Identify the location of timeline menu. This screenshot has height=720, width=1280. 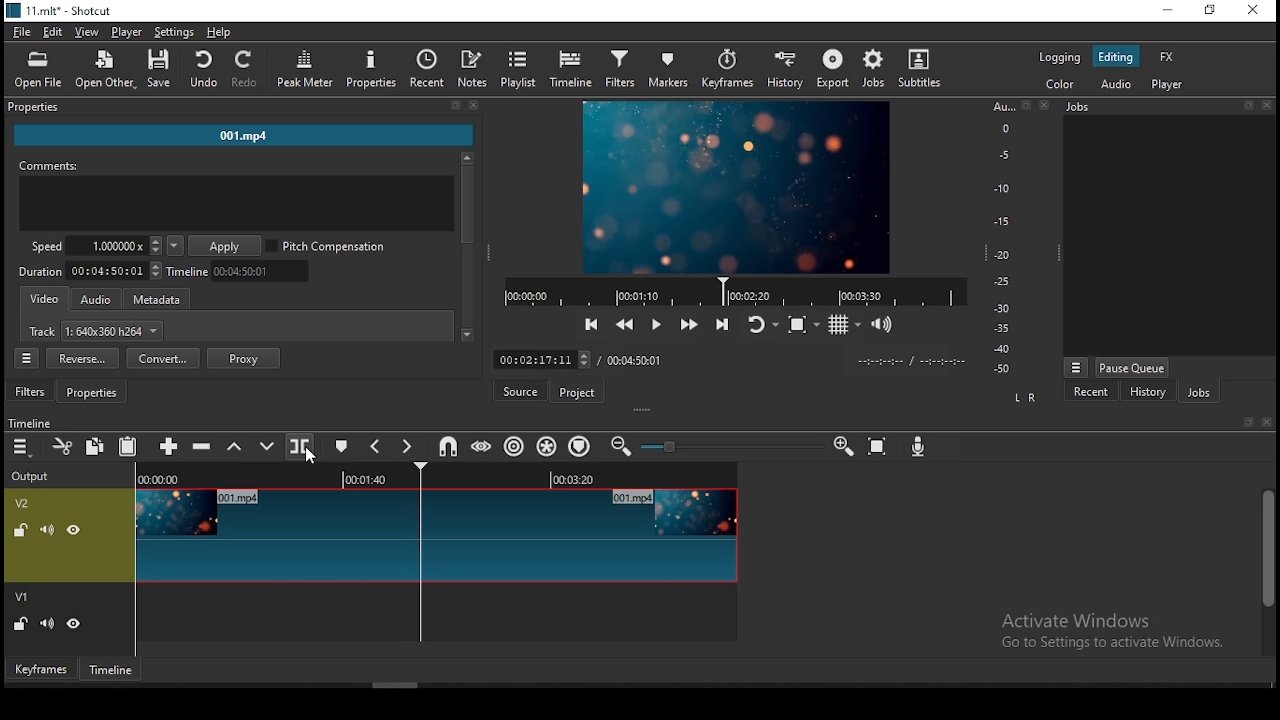
(21, 448).